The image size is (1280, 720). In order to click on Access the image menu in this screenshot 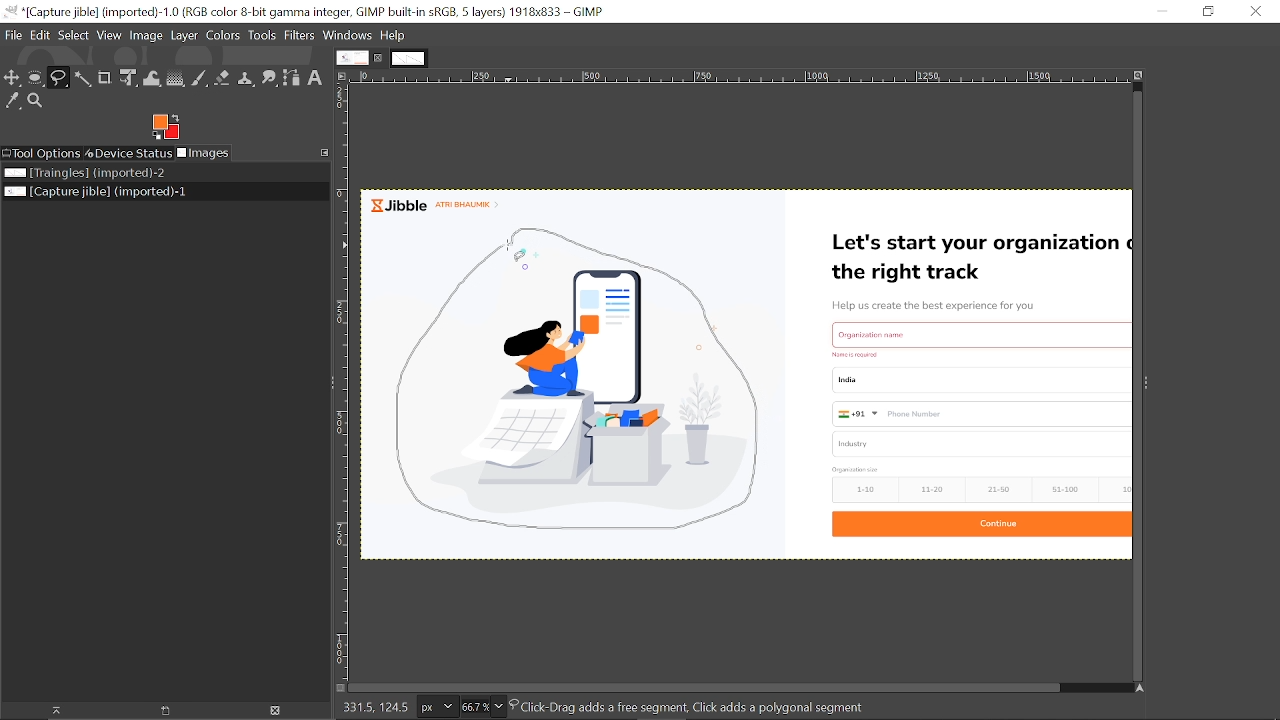, I will do `click(344, 77)`.